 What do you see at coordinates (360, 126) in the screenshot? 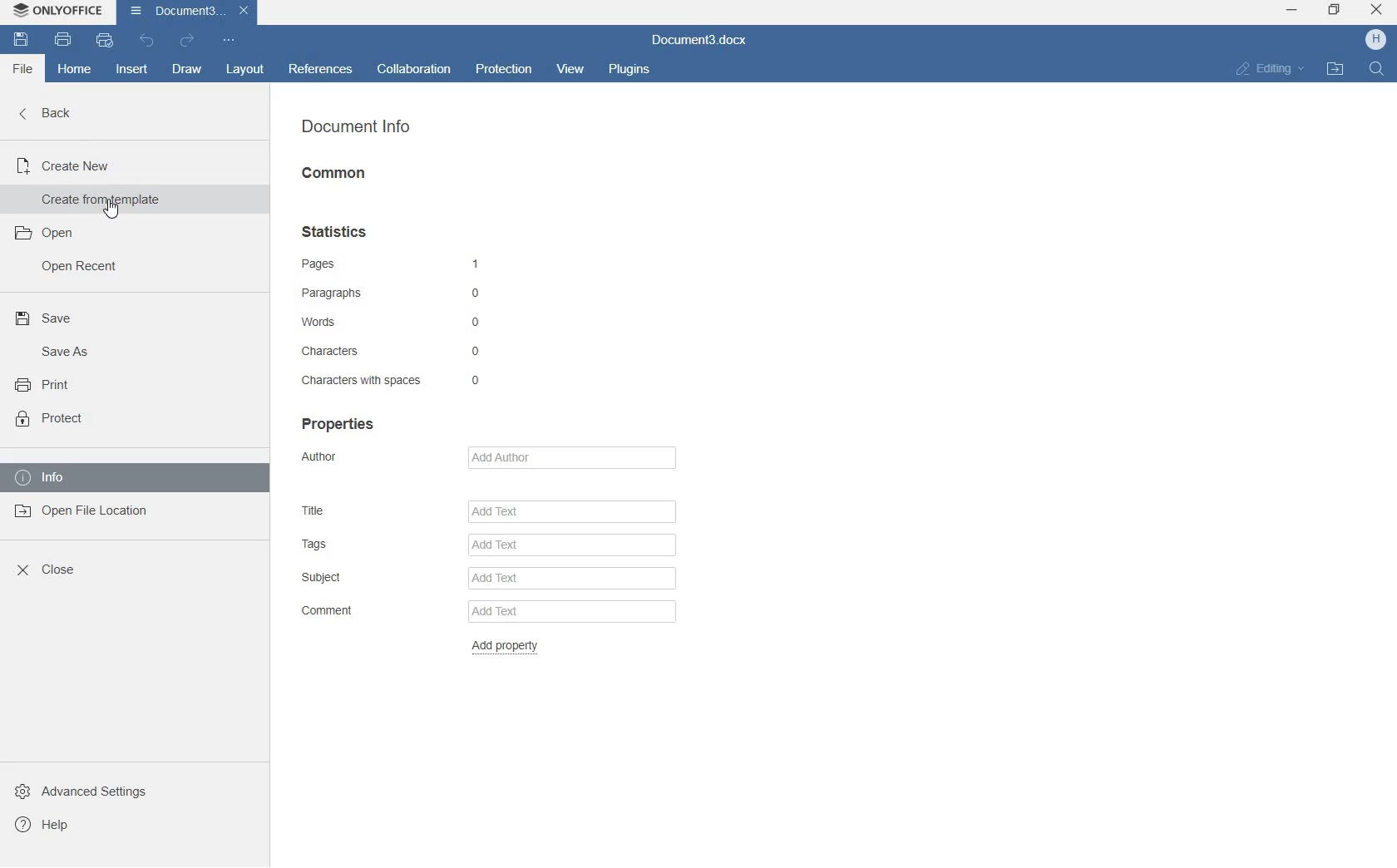
I see `document info` at bounding box center [360, 126].